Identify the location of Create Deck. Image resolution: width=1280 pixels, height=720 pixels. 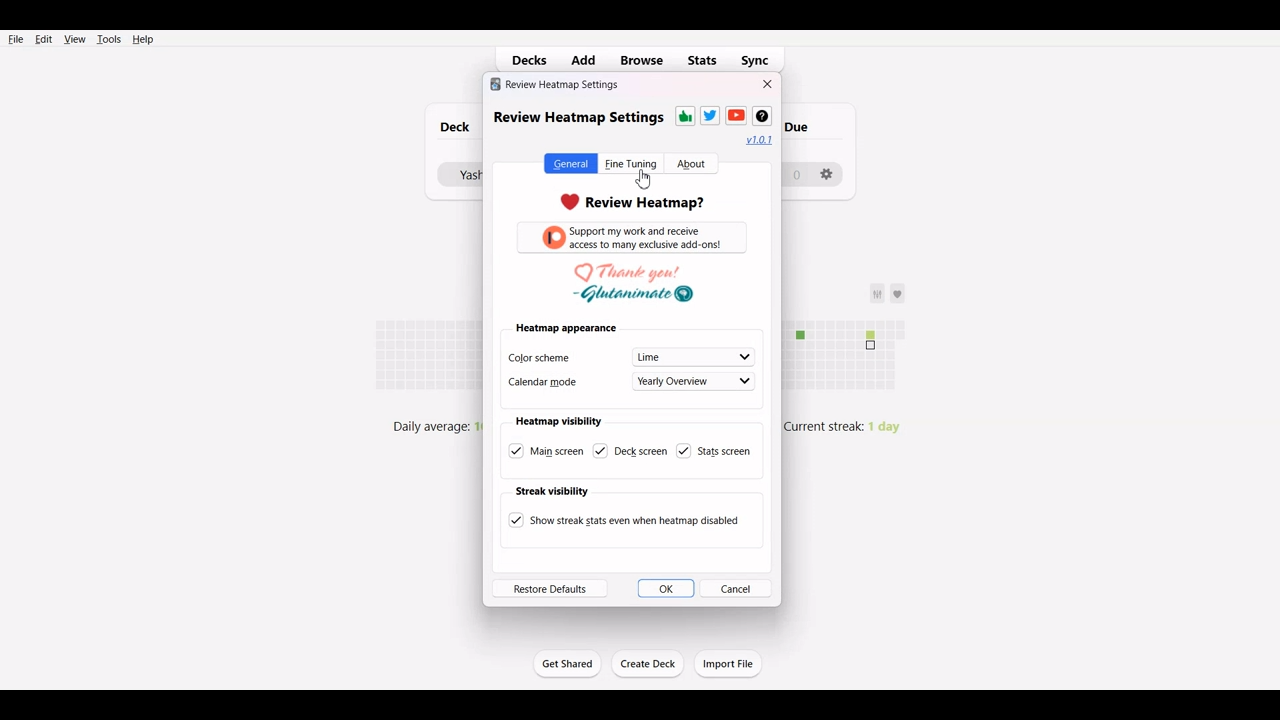
(649, 664).